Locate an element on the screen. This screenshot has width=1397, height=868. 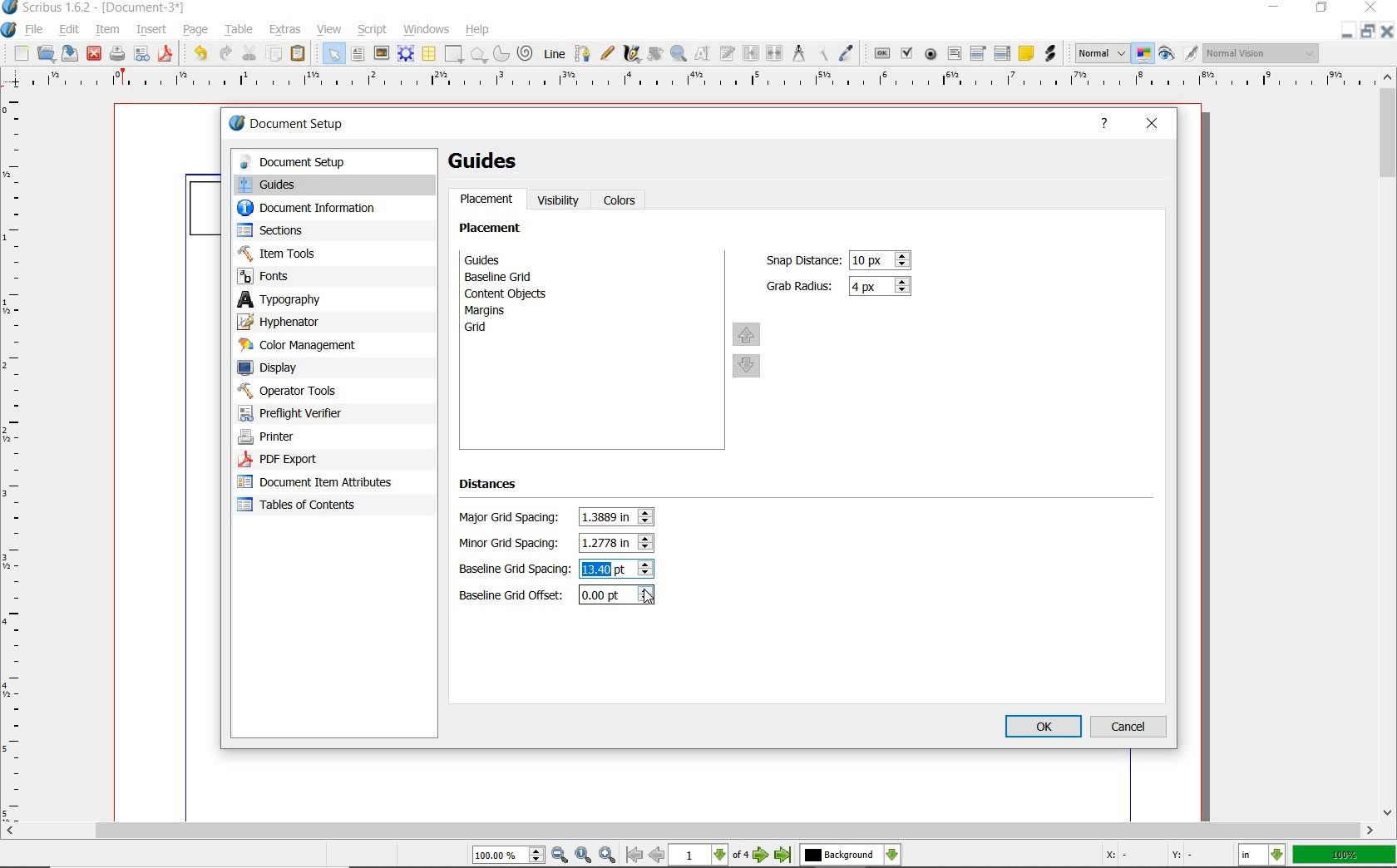
pdf list box is located at coordinates (1003, 52).